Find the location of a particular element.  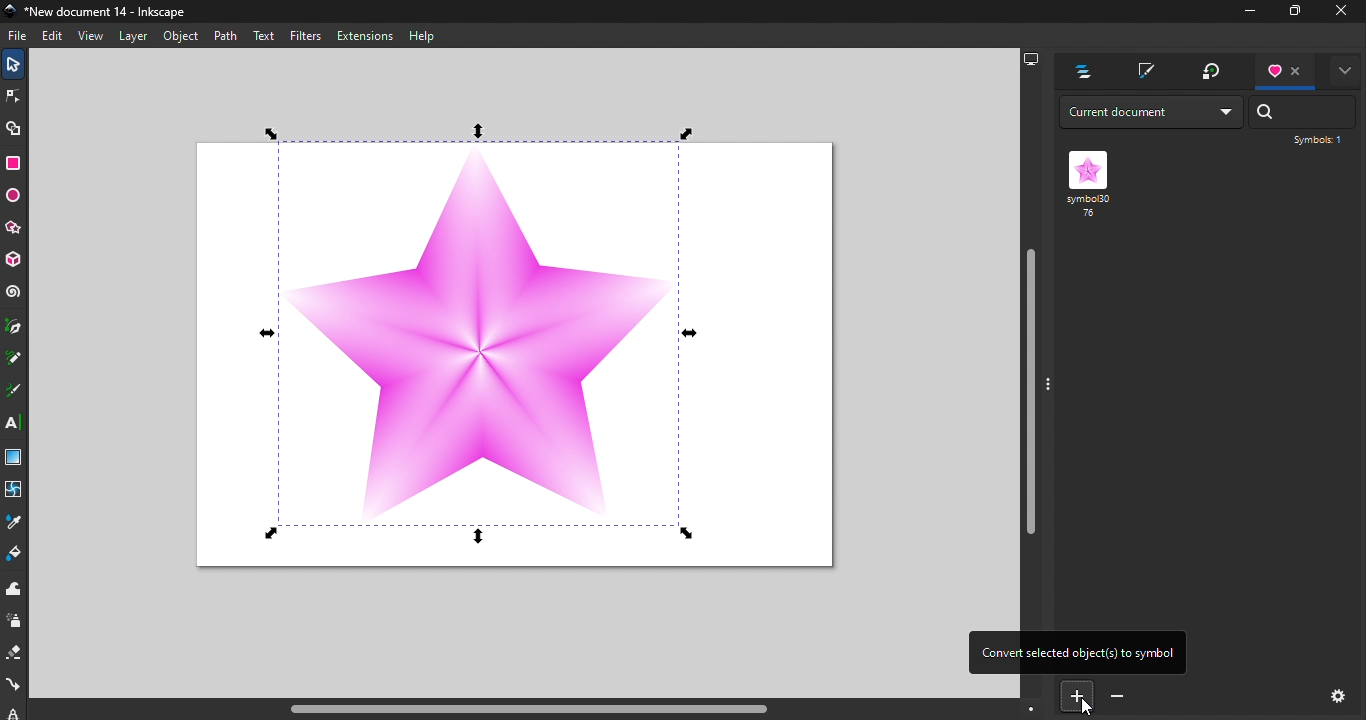

Selector tool is located at coordinates (10, 66).